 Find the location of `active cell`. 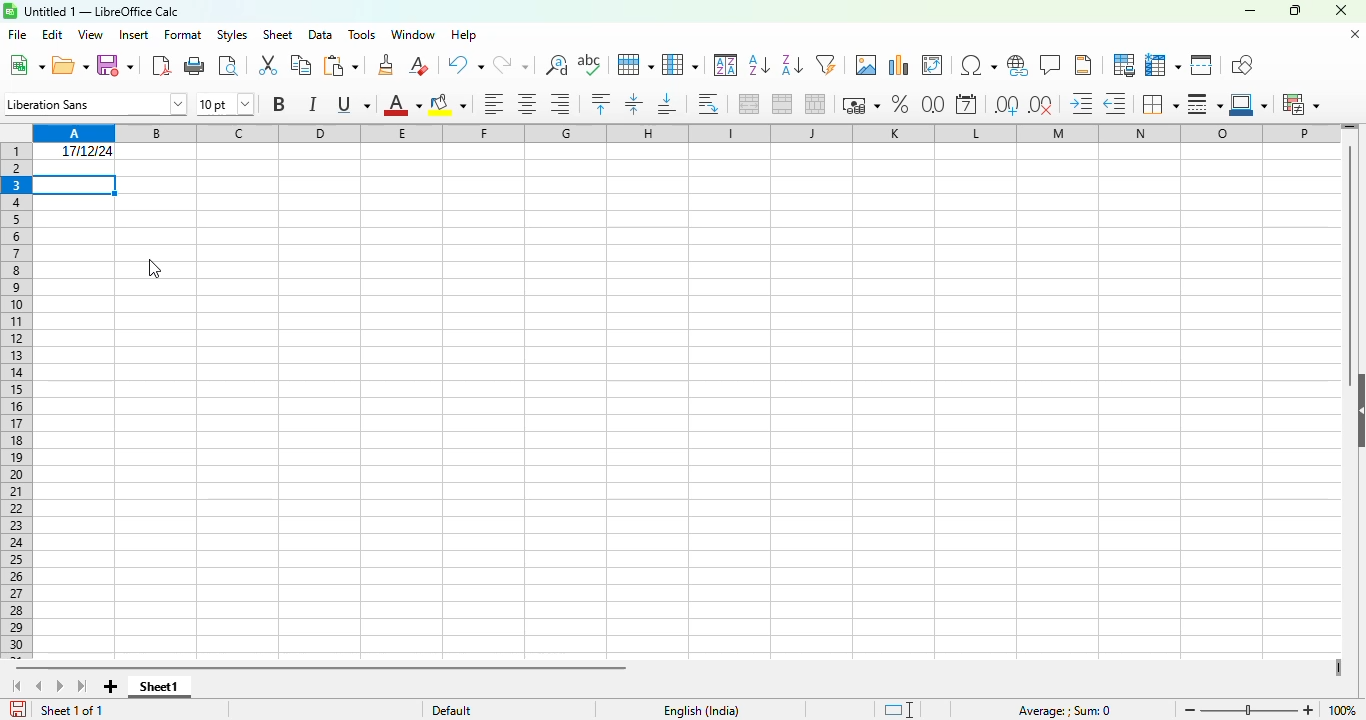

active cell is located at coordinates (75, 185).